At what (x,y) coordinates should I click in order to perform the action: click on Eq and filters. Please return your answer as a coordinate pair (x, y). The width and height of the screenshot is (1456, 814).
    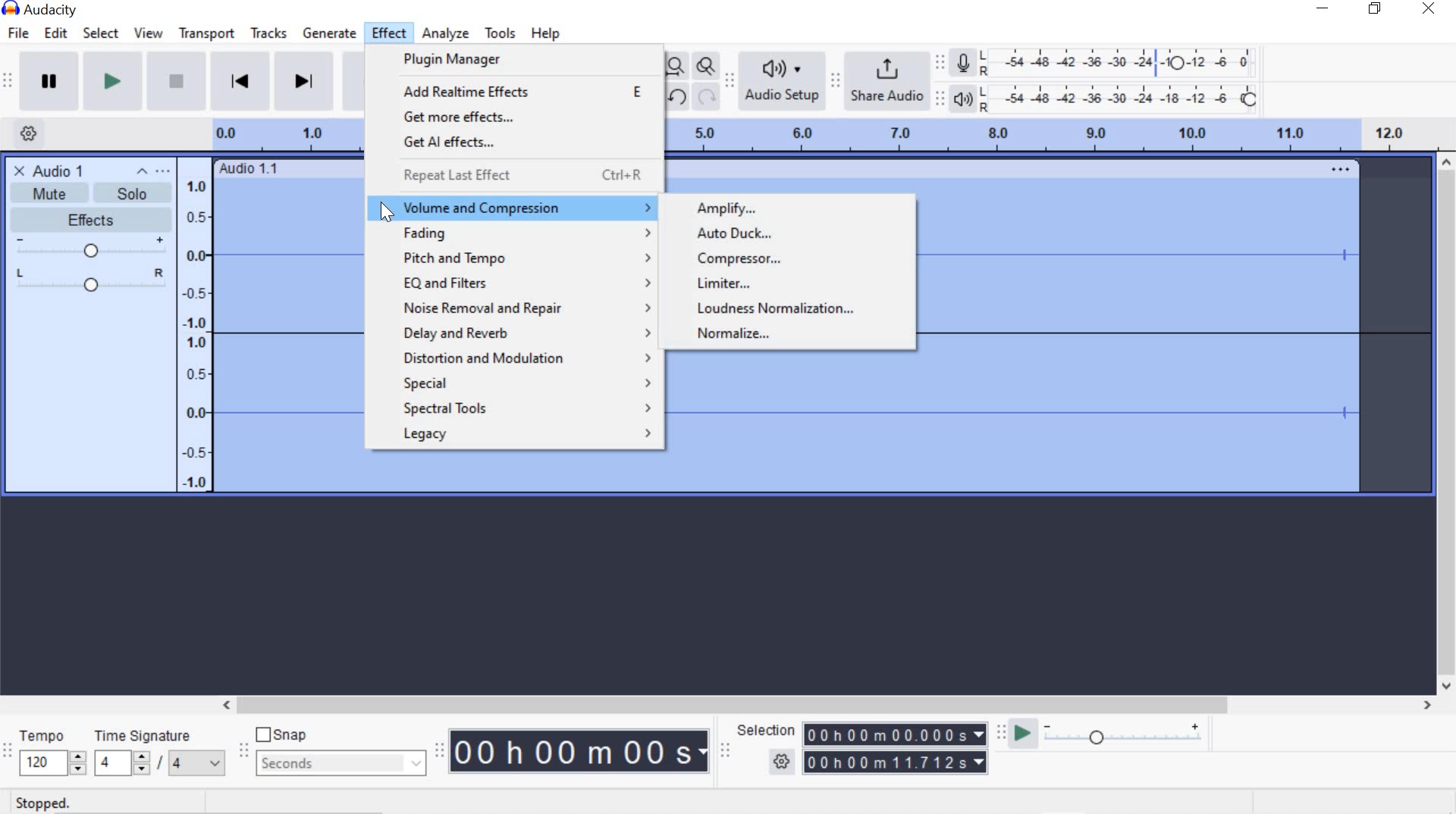
    Looking at the image, I should click on (529, 283).